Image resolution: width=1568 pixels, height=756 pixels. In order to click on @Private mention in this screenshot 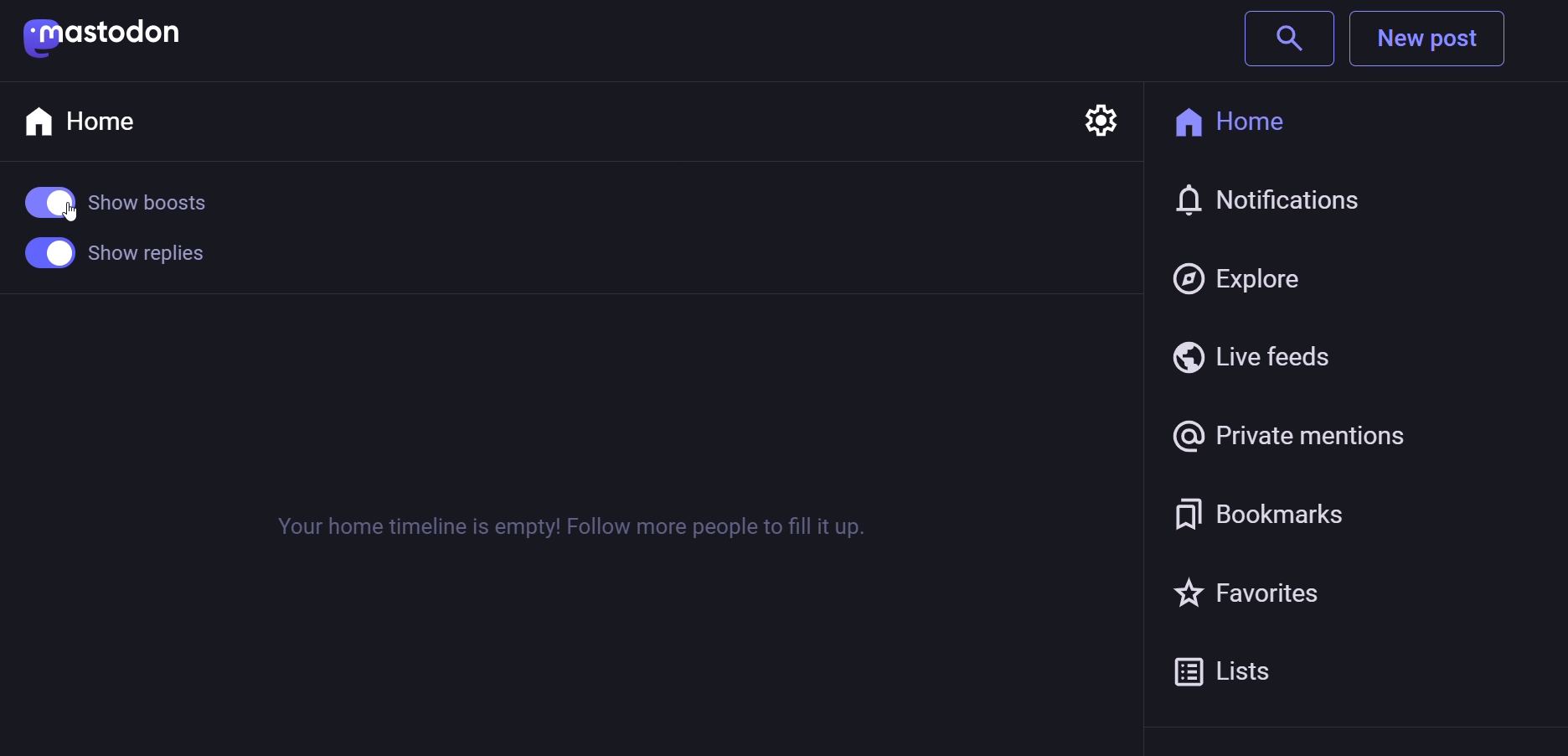, I will do `click(1332, 437)`.